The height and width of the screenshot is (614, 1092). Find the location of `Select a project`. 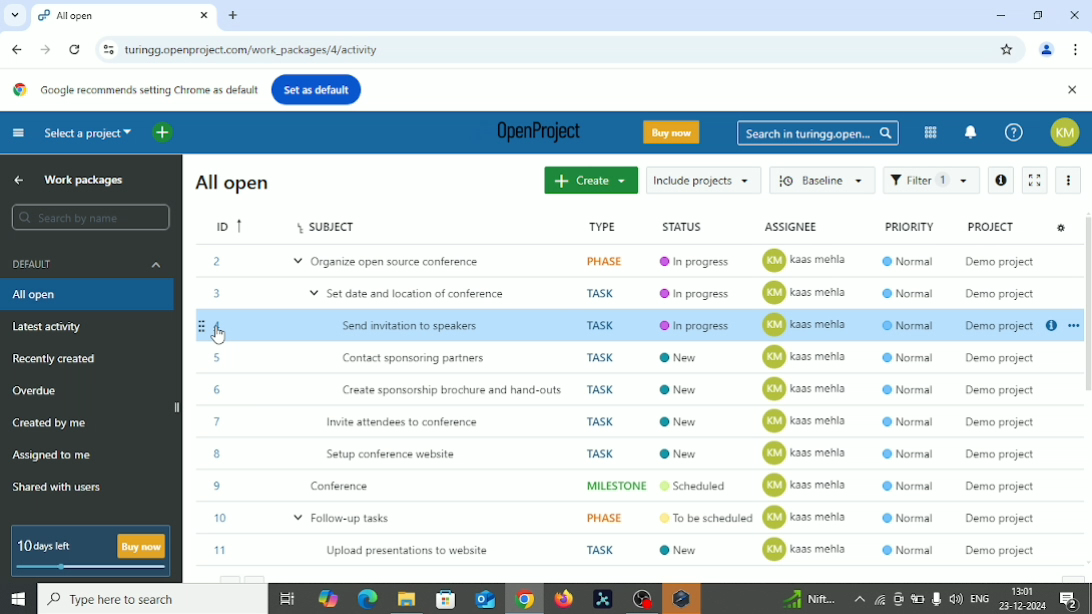

Select a project is located at coordinates (89, 132).